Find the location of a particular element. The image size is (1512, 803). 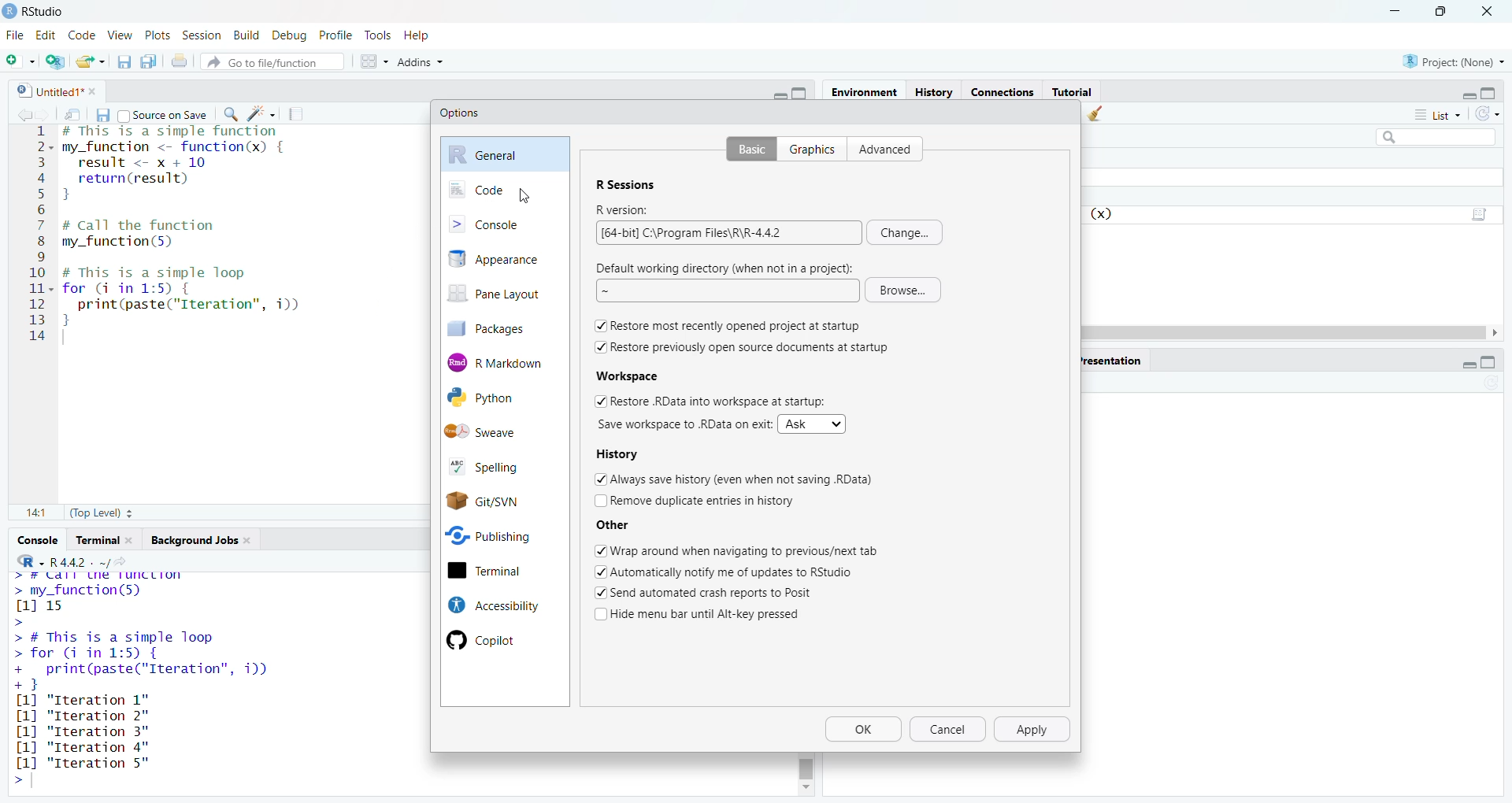

maximize is located at coordinates (805, 93).